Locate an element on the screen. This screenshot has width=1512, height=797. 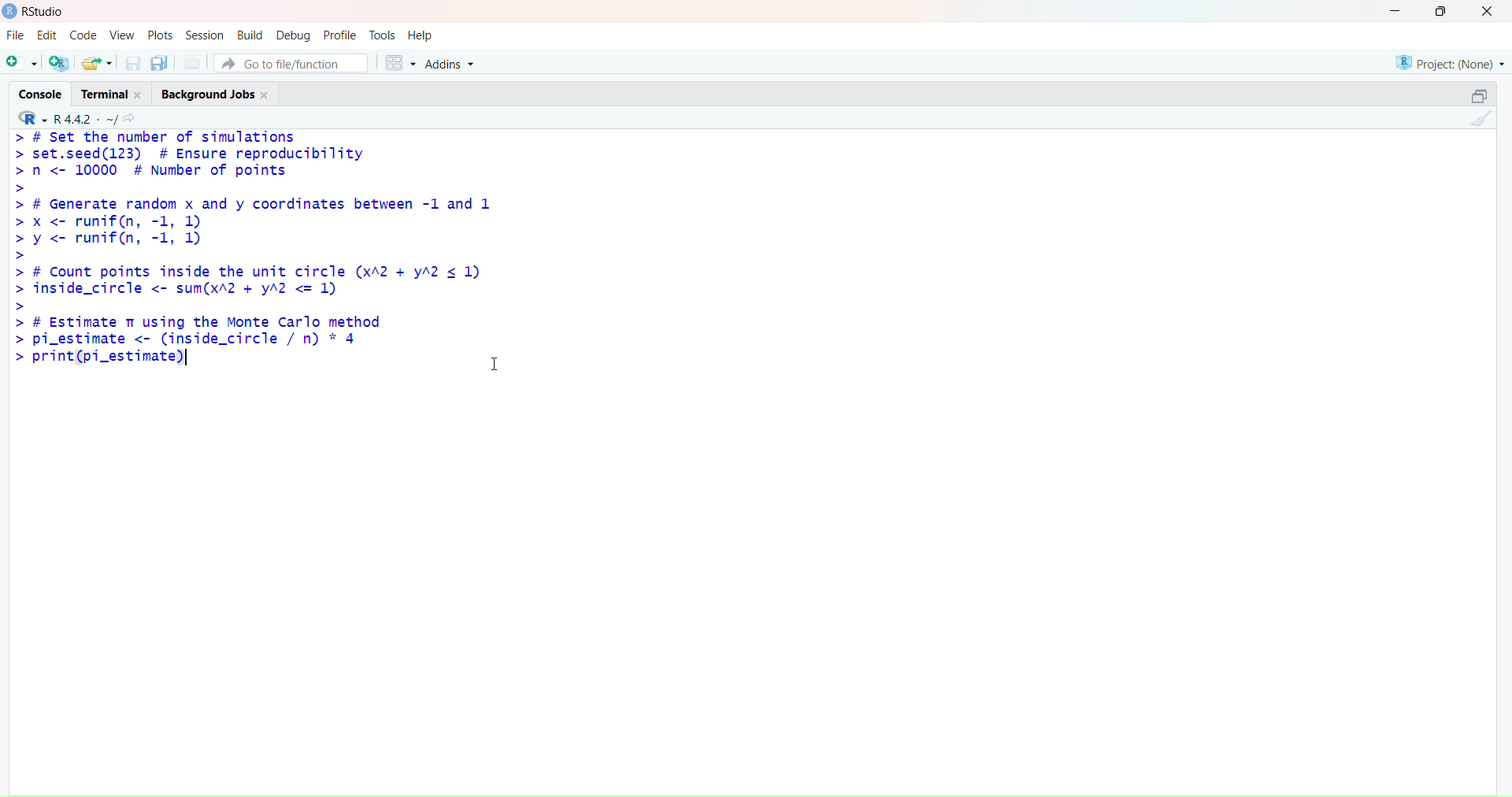
Debug is located at coordinates (296, 34).